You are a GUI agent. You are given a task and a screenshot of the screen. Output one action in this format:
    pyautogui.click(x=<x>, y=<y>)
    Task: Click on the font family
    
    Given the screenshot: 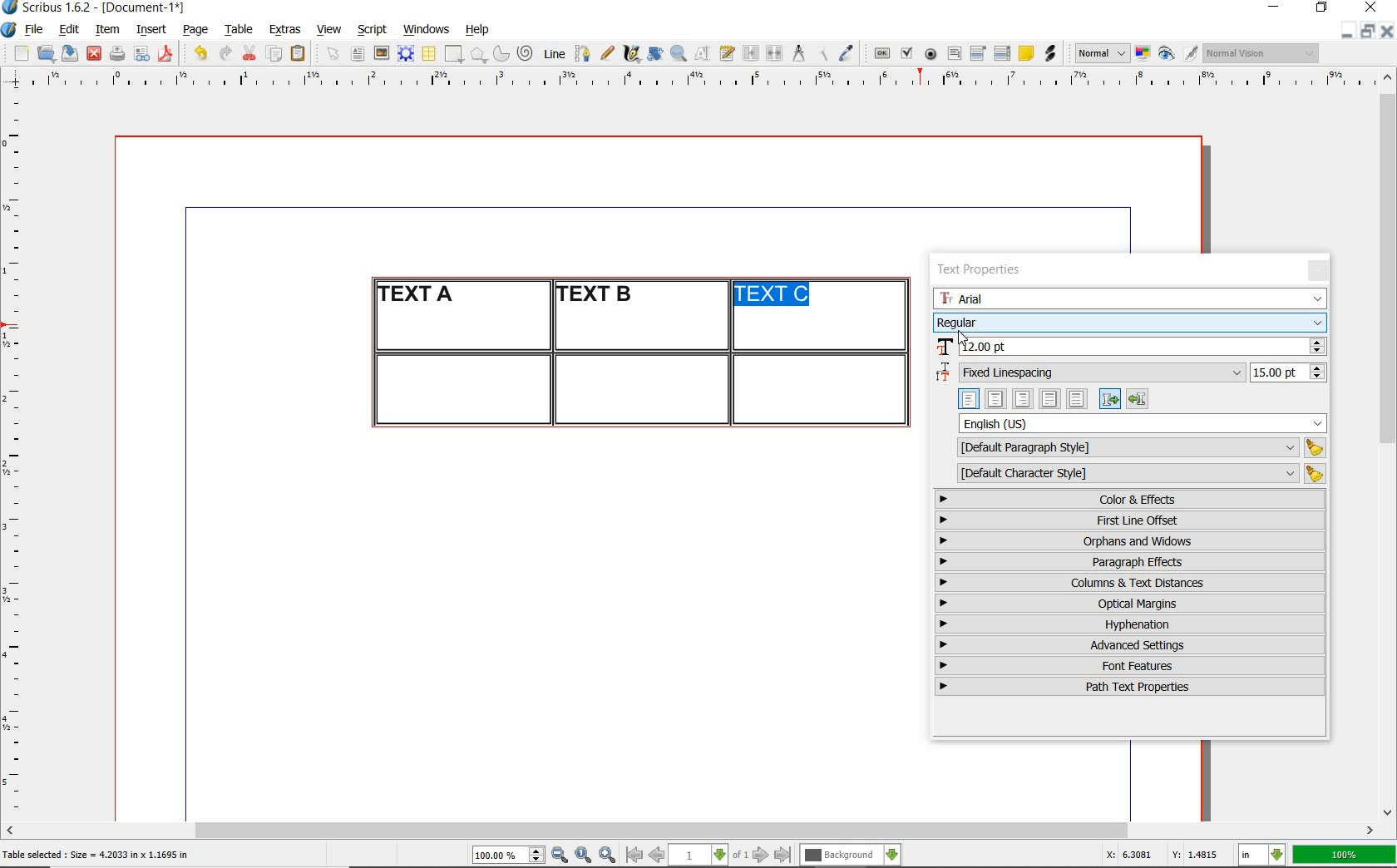 What is the action you would take?
    pyautogui.click(x=1132, y=298)
    